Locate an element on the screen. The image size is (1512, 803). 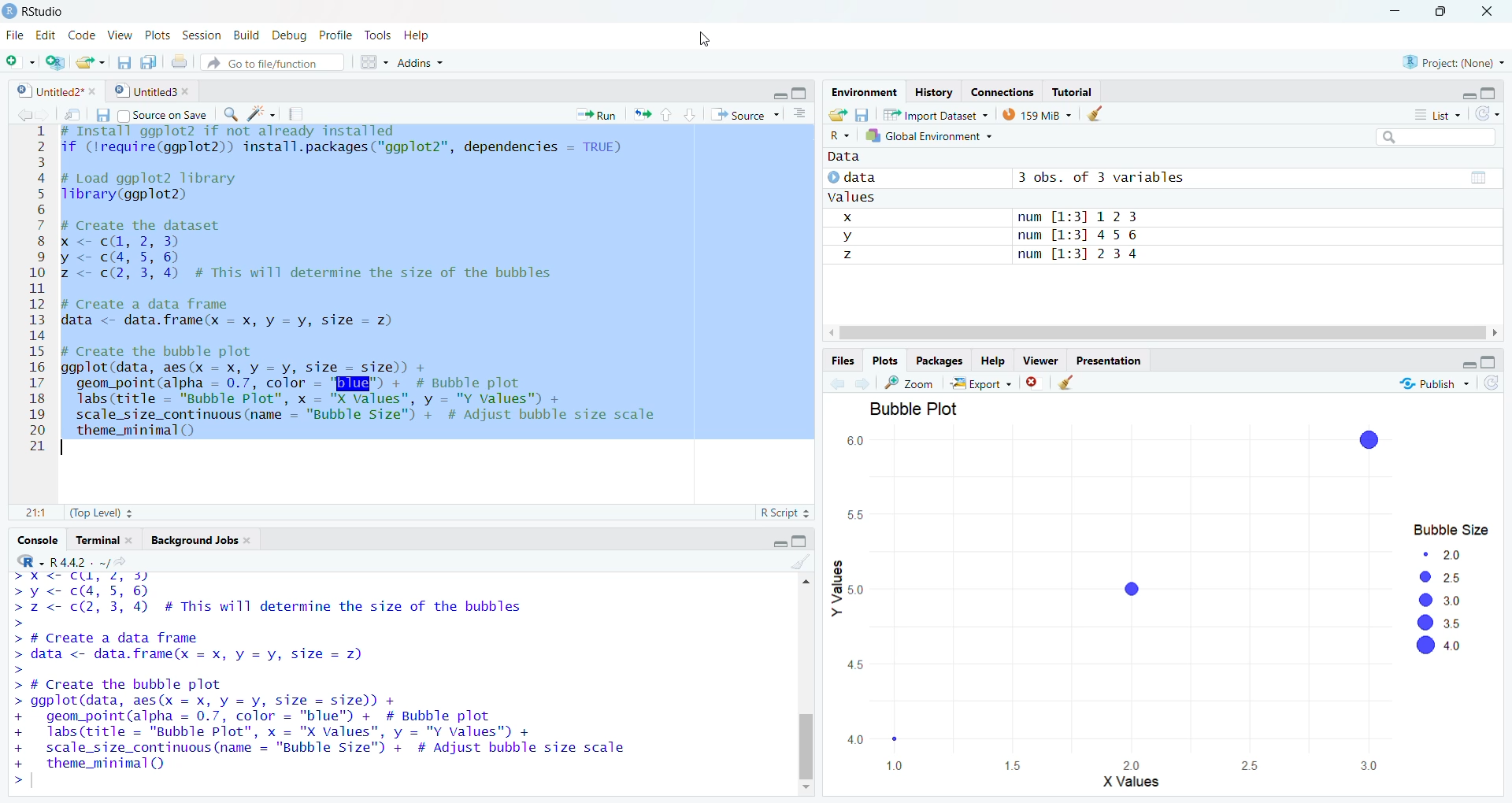
1:1 is located at coordinates (27, 513).